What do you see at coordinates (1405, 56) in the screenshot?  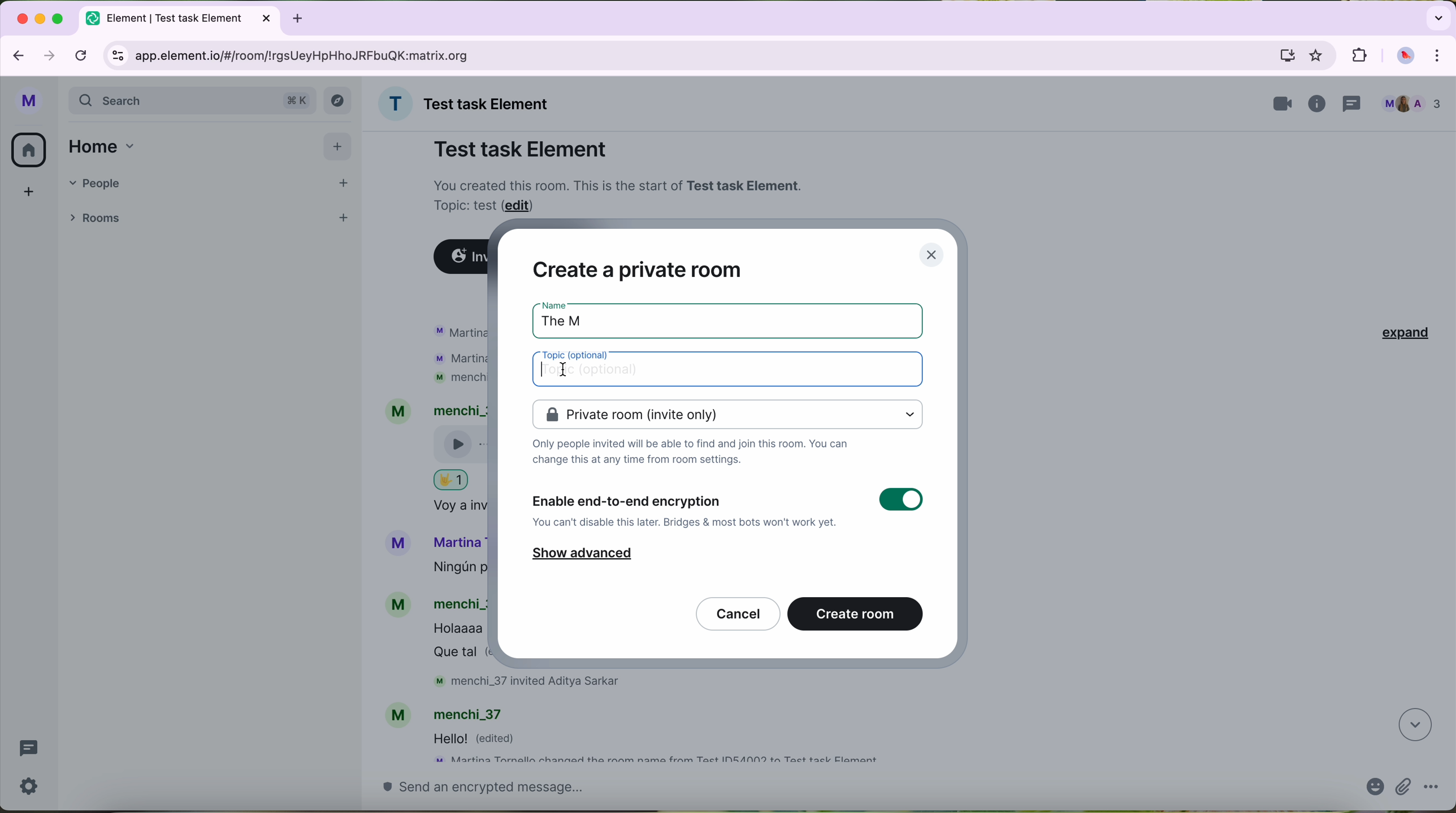 I see `profile picture` at bounding box center [1405, 56].